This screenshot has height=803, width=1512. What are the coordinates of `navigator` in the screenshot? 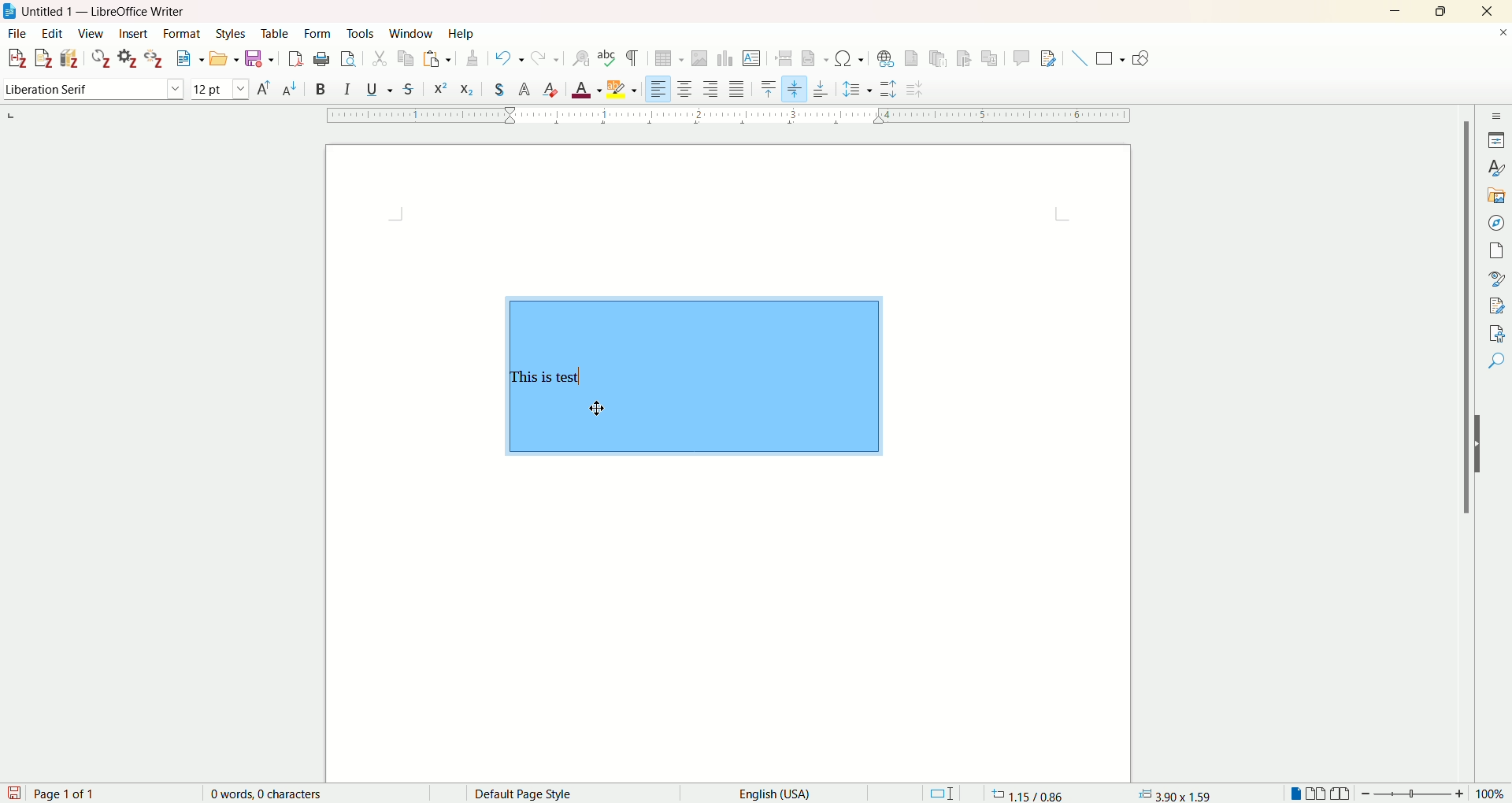 It's located at (1494, 223).